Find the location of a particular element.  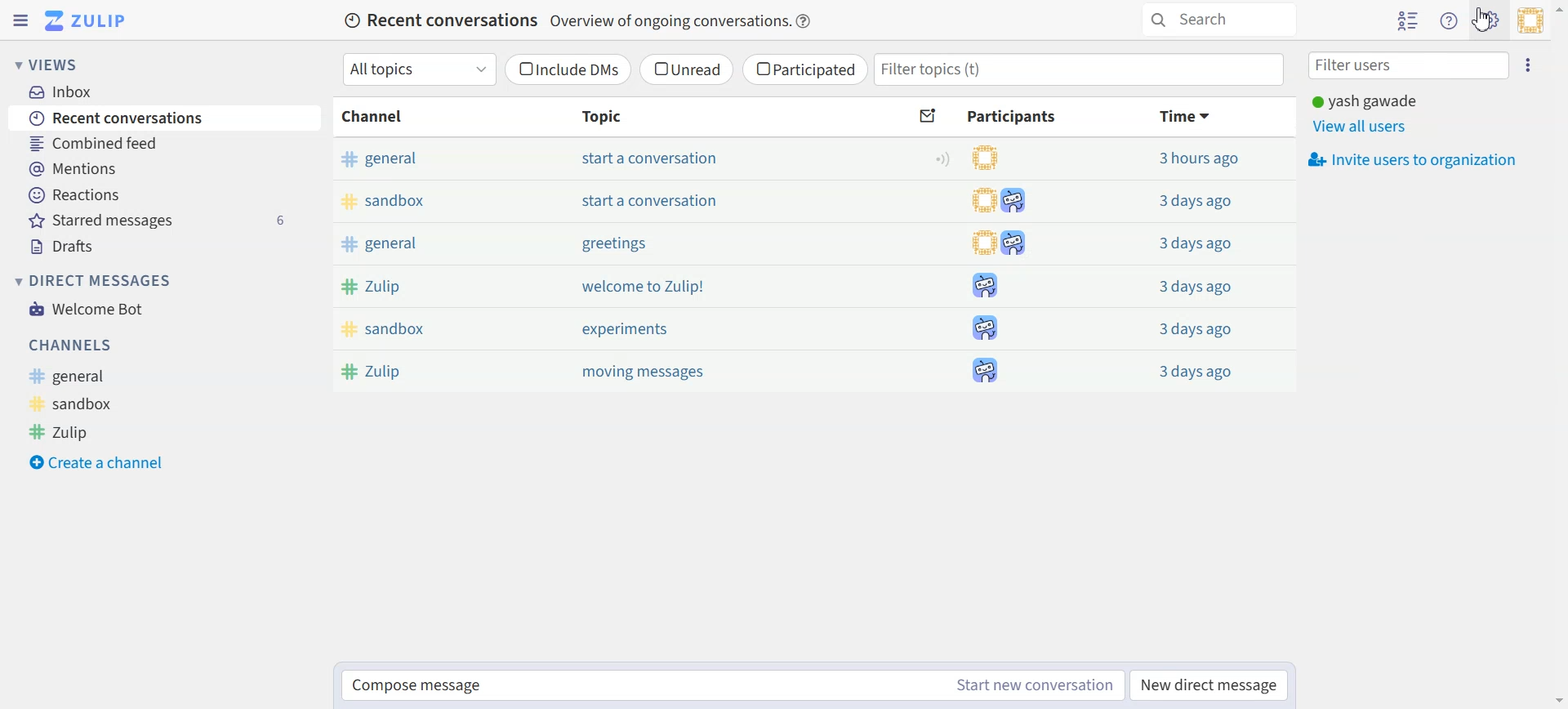

New direct message is located at coordinates (1209, 685).